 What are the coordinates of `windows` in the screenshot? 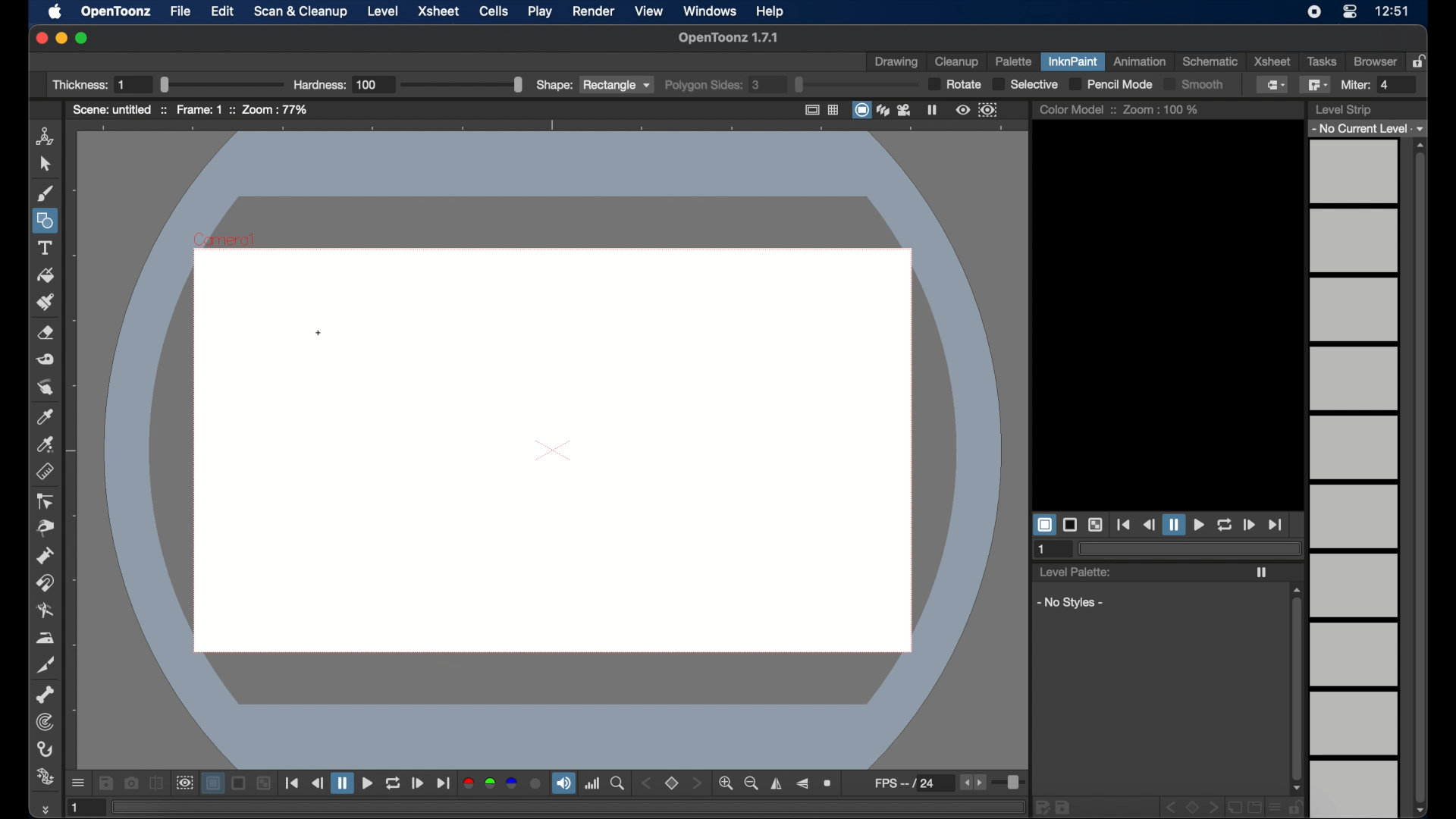 It's located at (710, 11).